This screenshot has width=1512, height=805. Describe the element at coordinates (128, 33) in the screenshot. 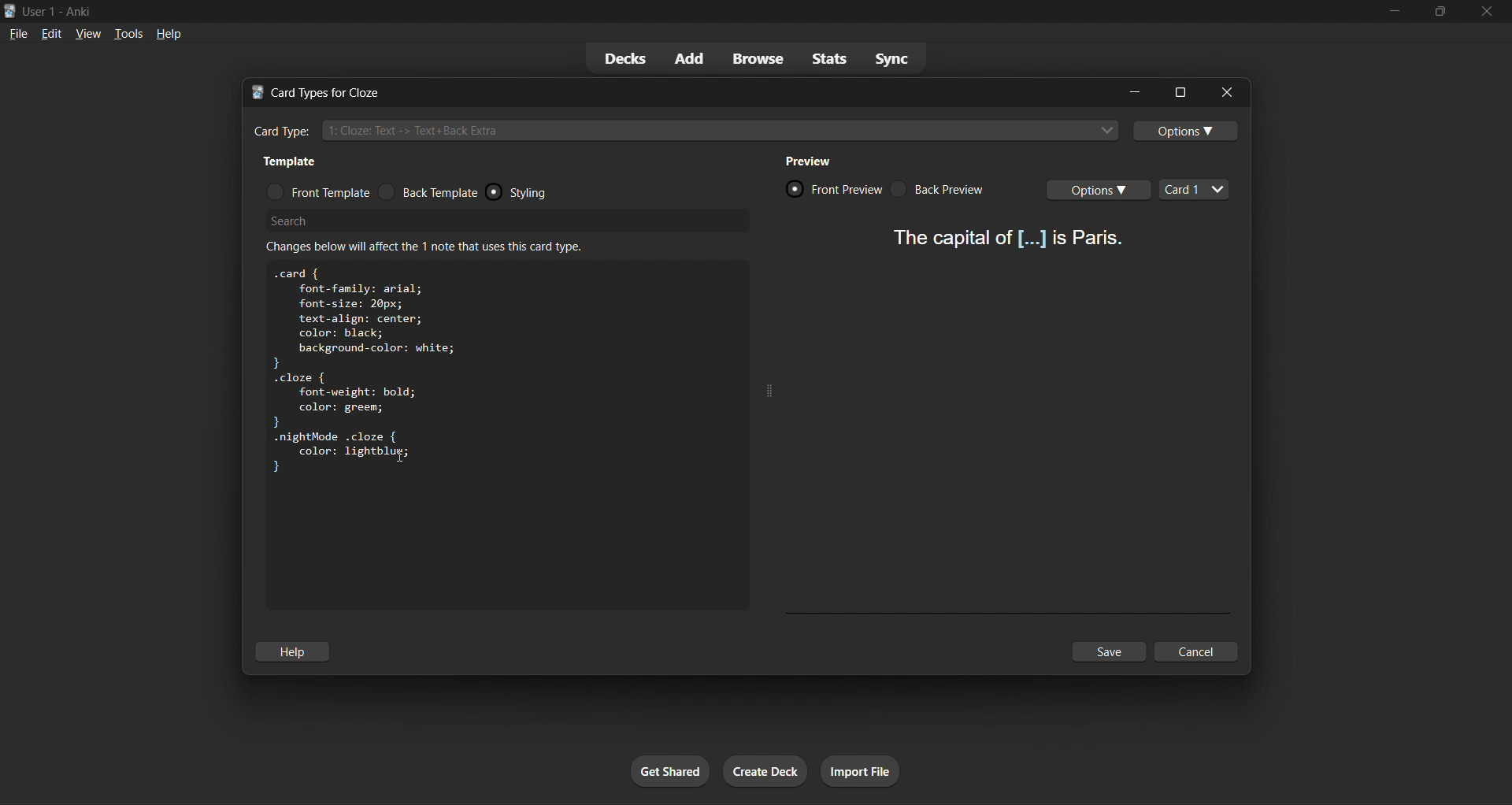

I see `tools` at that location.